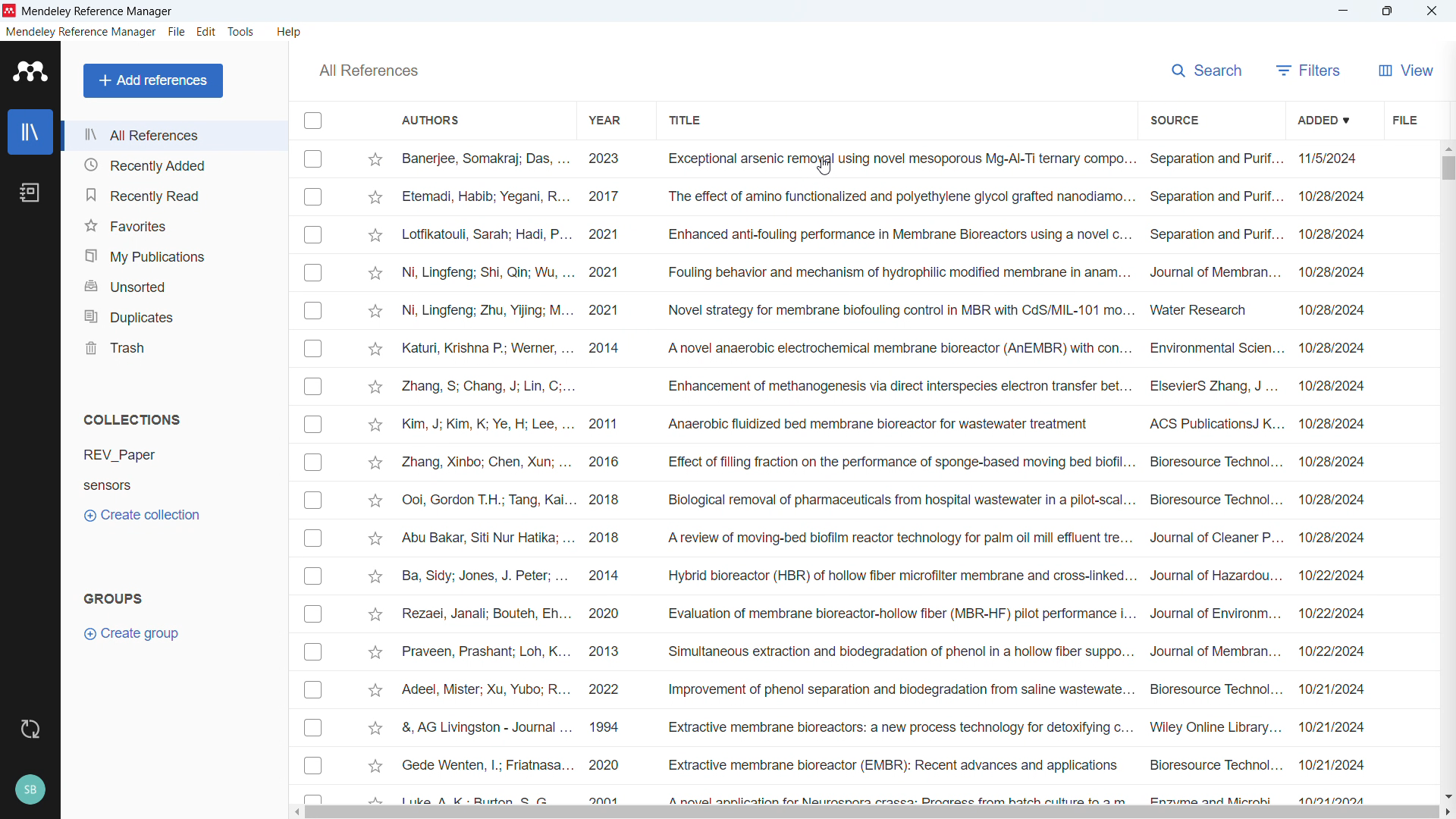 Image resolution: width=1456 pixels, height=819 pixels. Describe the element at coordinates (1447, 147) in the screenshot. I see `Scroll up ` at that location.